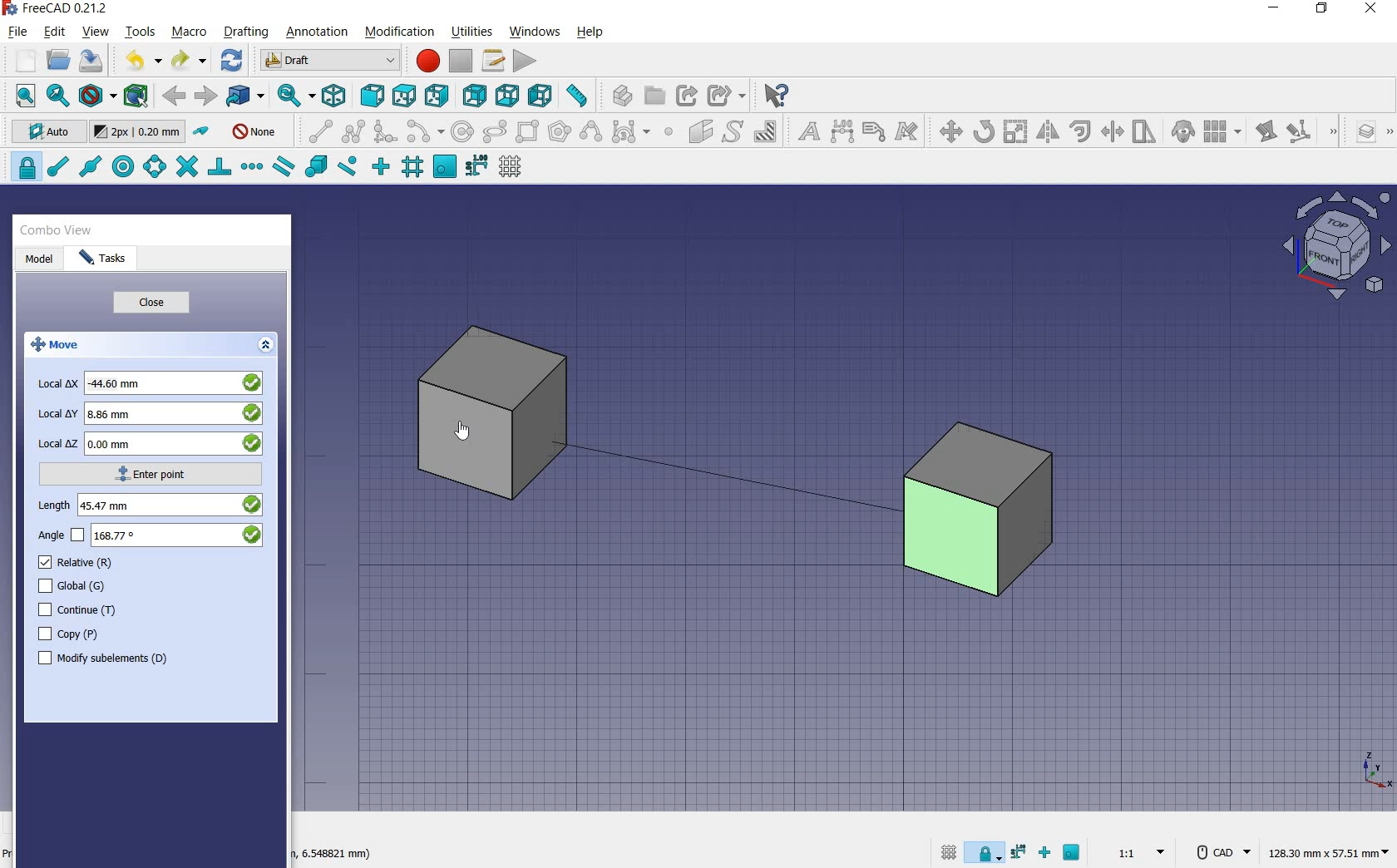 The width and height of the screenshot is (1397, 868). Describe the element at coordinates (137, 132) in the screenshot. I see `change default size for new objects` at that location.